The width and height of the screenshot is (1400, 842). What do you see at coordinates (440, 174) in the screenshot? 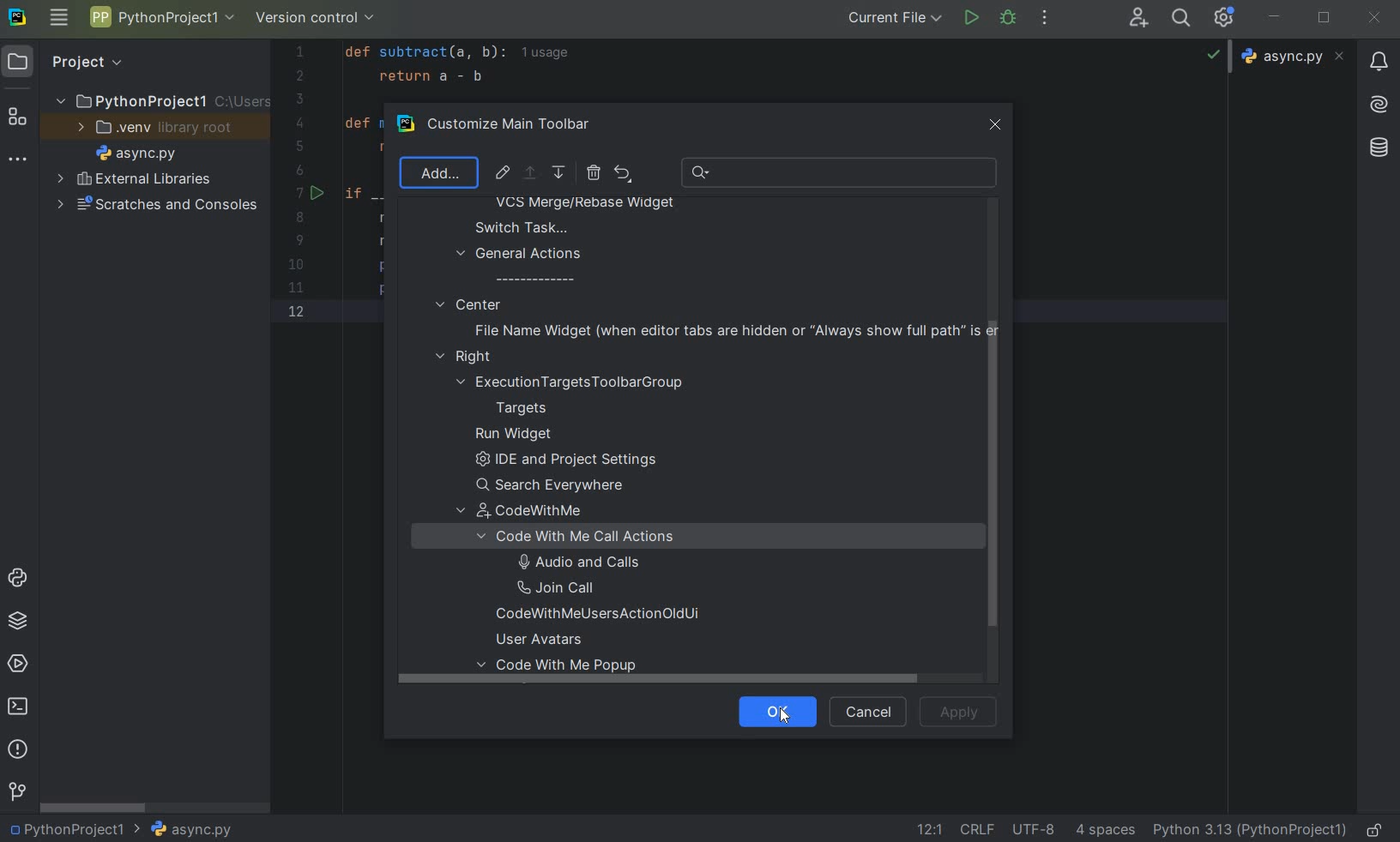
I see `add` at bounding box center [440, 174].